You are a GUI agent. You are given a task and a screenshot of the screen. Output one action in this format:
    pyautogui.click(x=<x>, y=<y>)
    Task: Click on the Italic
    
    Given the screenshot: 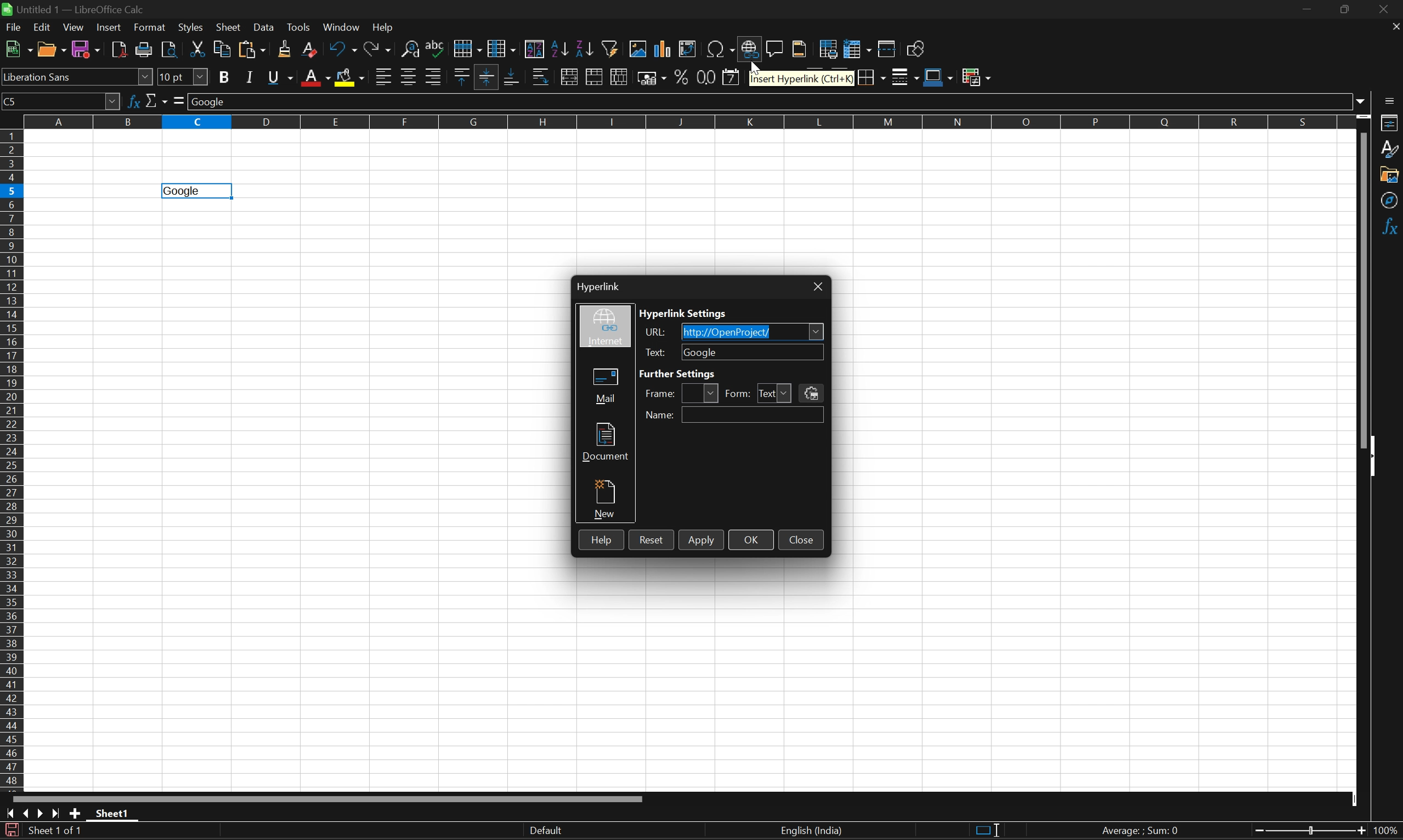 What is the action you would take?
    pyautogui.click(x=251, y=78)
    